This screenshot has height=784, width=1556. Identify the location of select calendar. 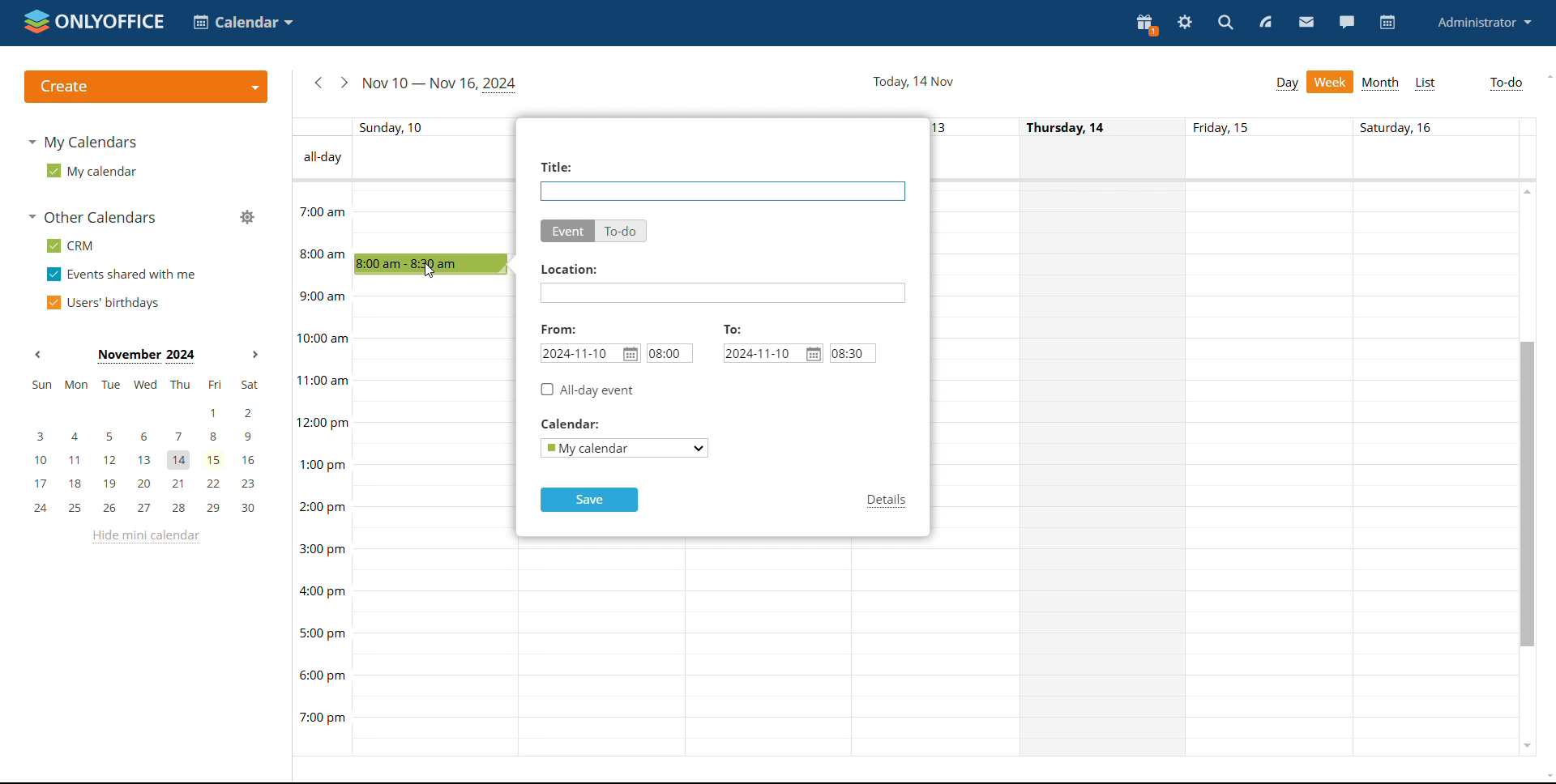
(622, 448).